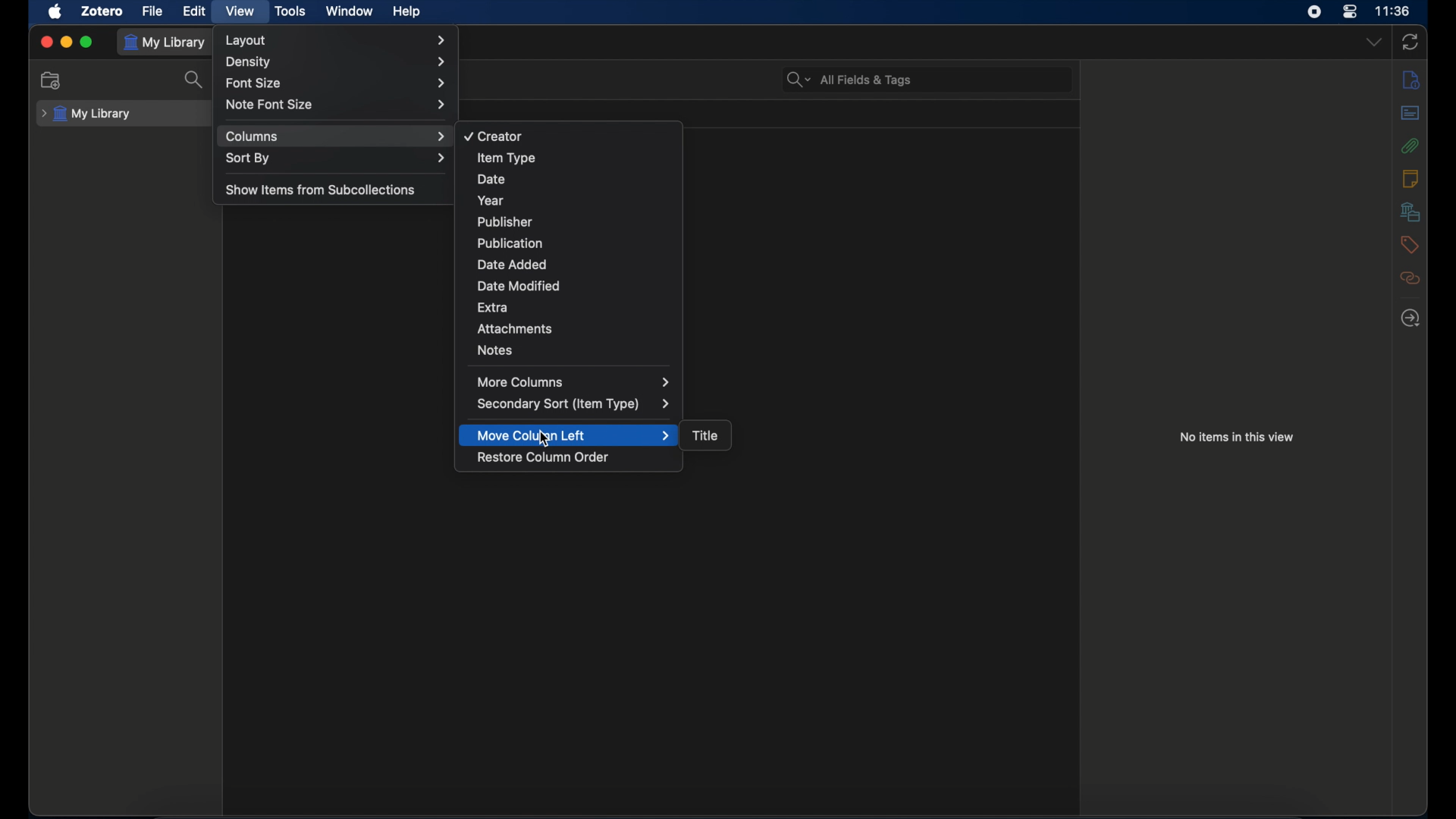 Image resolution: width=1456 pixels, height=819 pixels. What do you see at coordinates (510, 243) in the screenshot?
I see `publication` at bounding box center [510, 243].